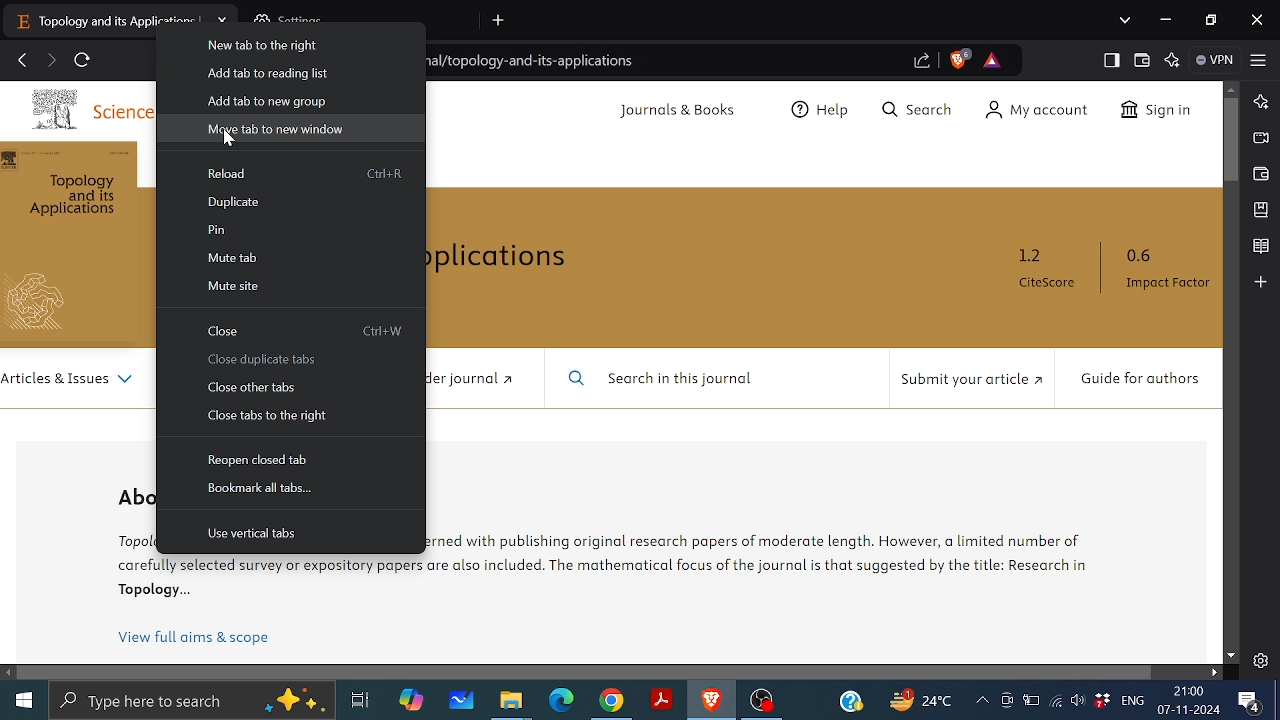  Describe the element at coordinates (1259, 282) in the screenshot. I see `Add to sidebar` at that location.